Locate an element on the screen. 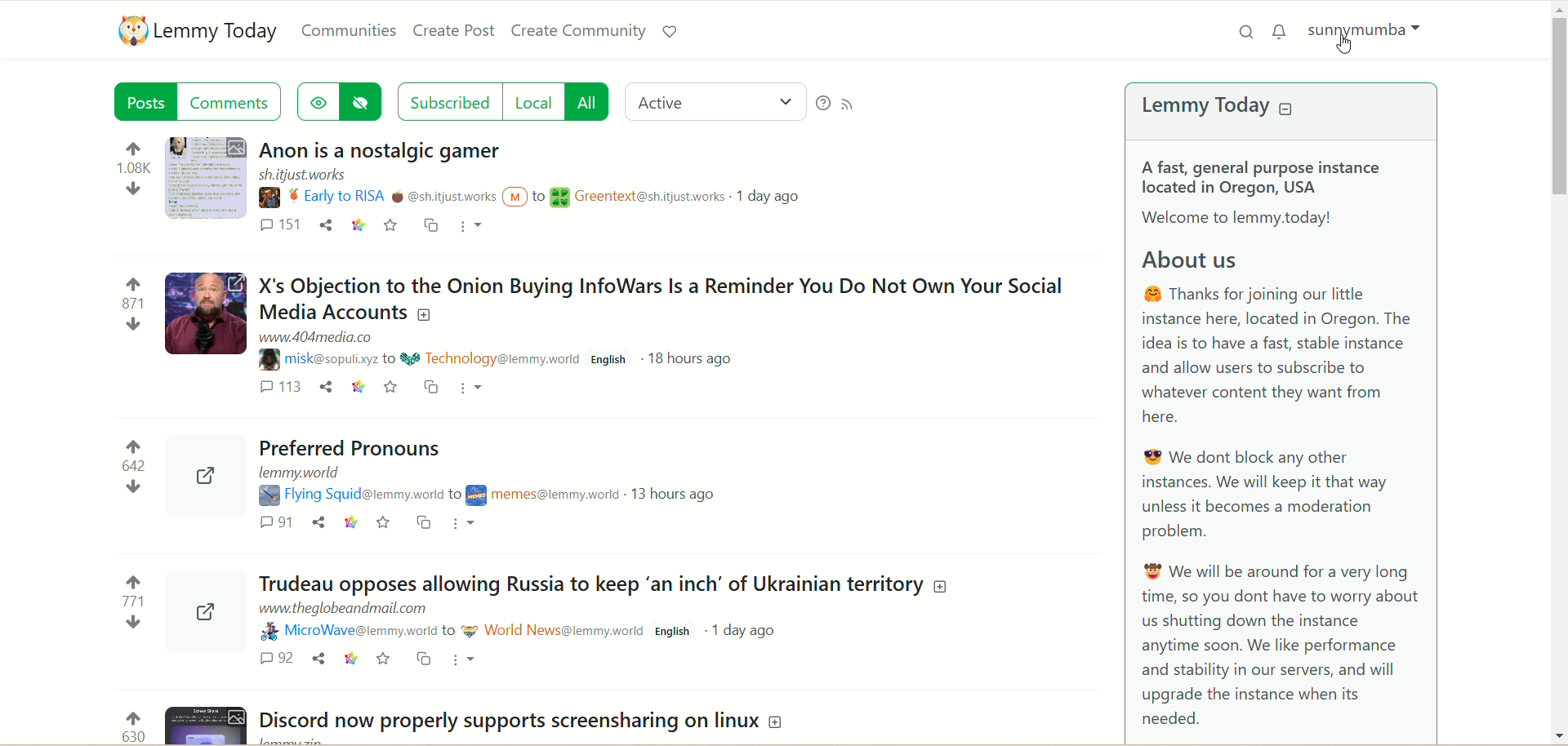 This screenshot has width=1568, height=746. notification is located at coordinates (1281, 31).